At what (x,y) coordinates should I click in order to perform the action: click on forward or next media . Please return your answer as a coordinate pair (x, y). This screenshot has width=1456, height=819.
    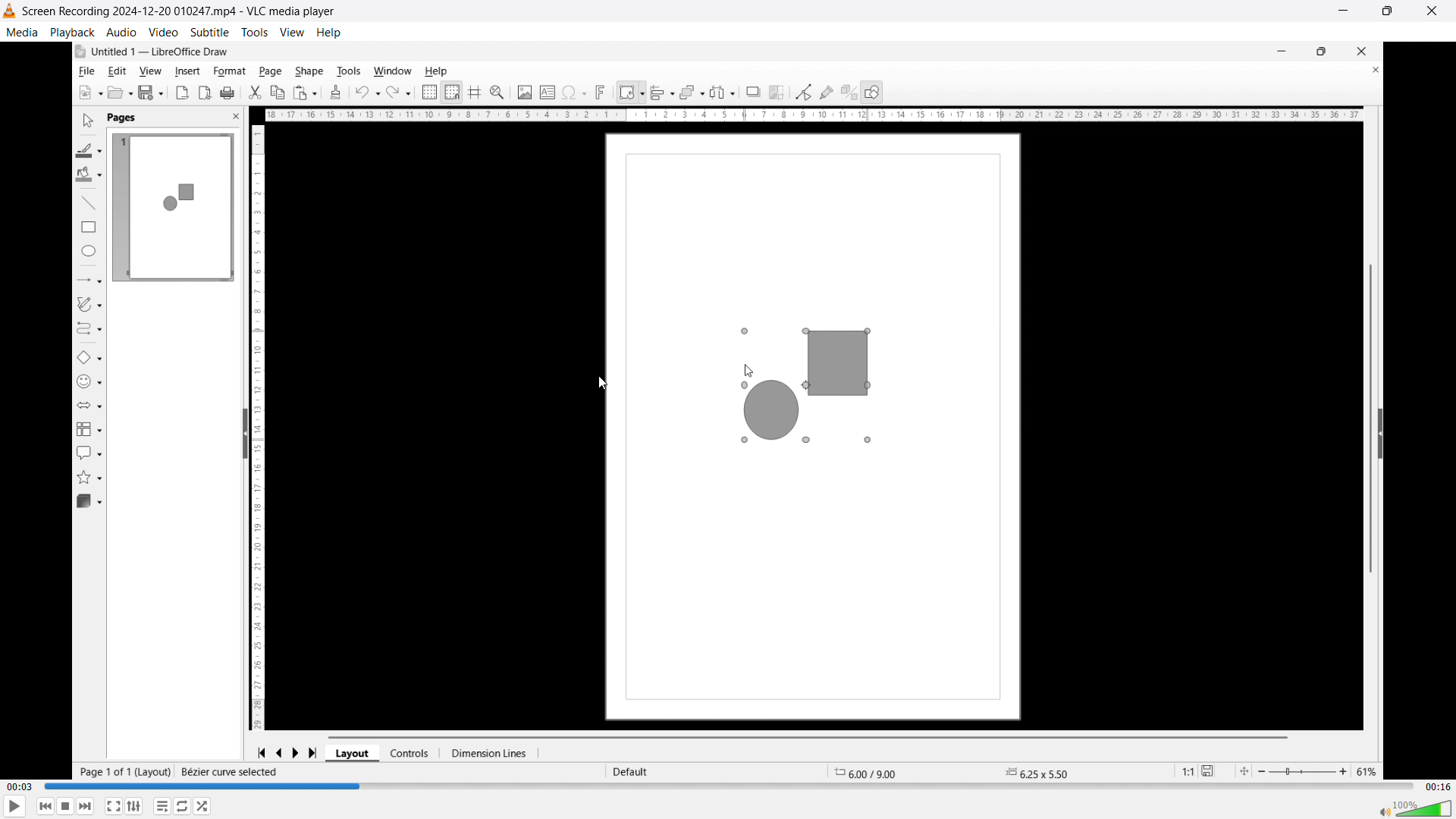
    Looking at the image, I should click on (85, 807).